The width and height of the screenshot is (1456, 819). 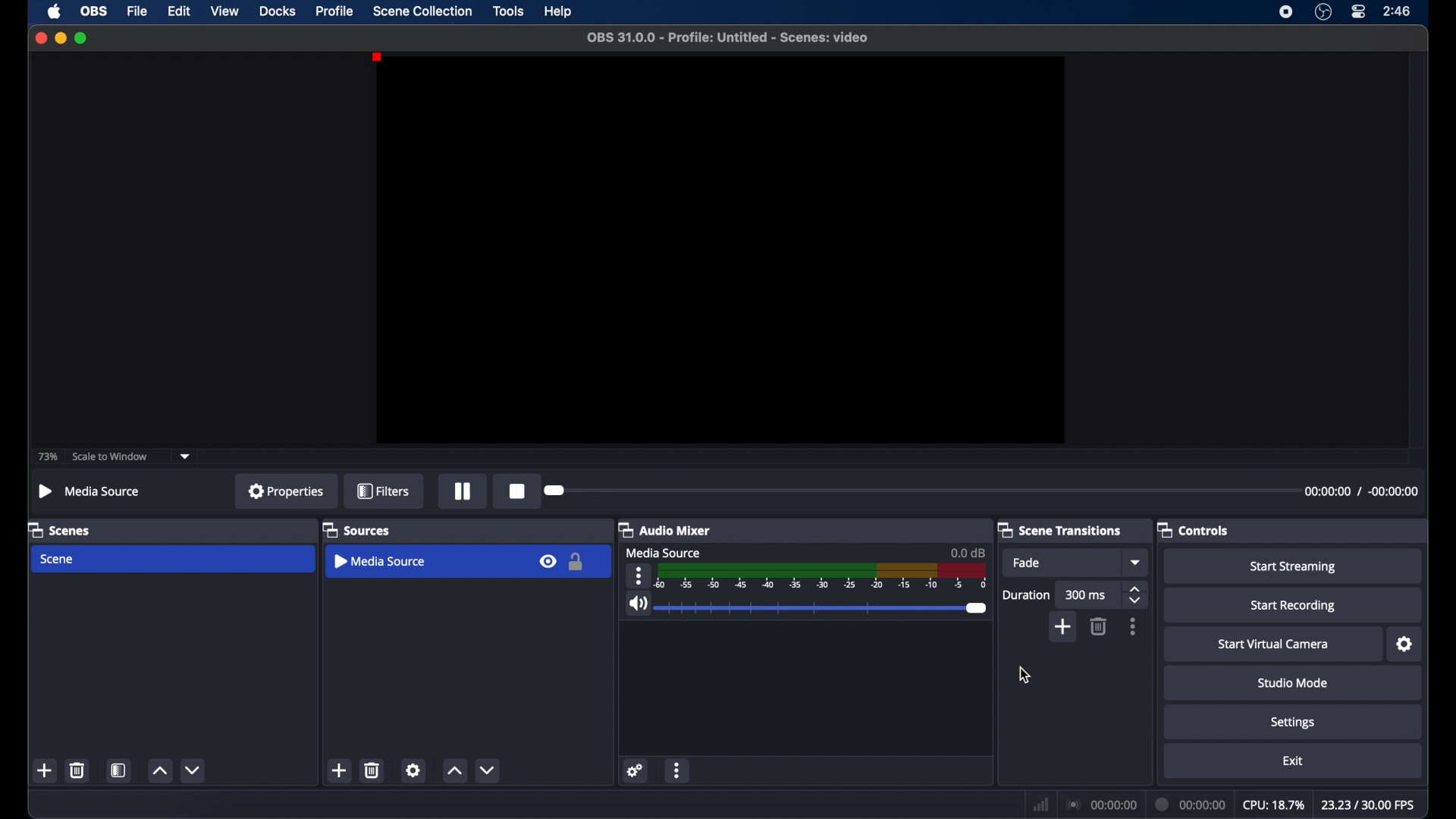 What do you see at coordinates (88, 491) in the screenshot?
I see `media source` at bounding box center [88, 491].